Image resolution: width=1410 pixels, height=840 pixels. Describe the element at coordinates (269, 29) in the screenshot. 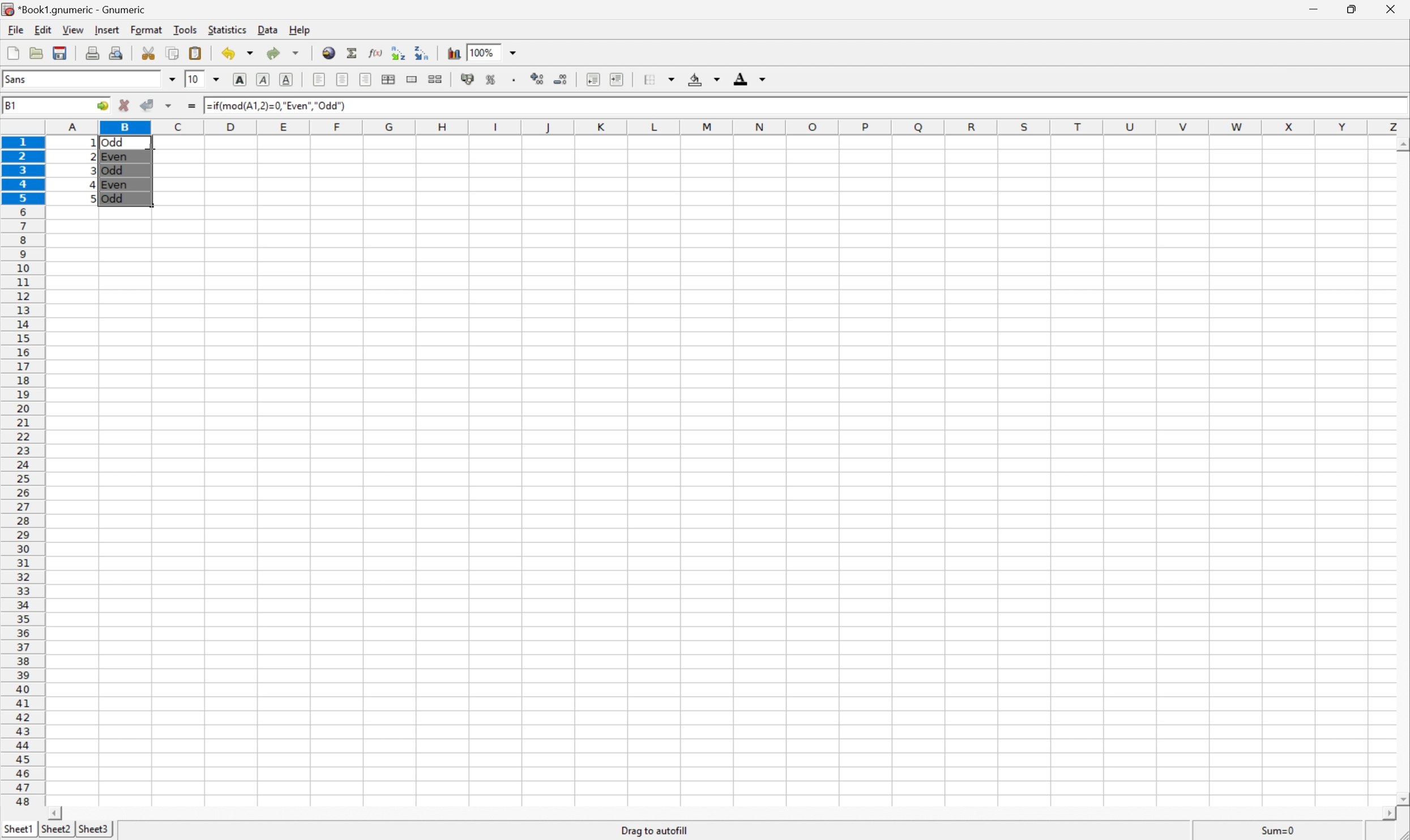

I see `Data` at that location.